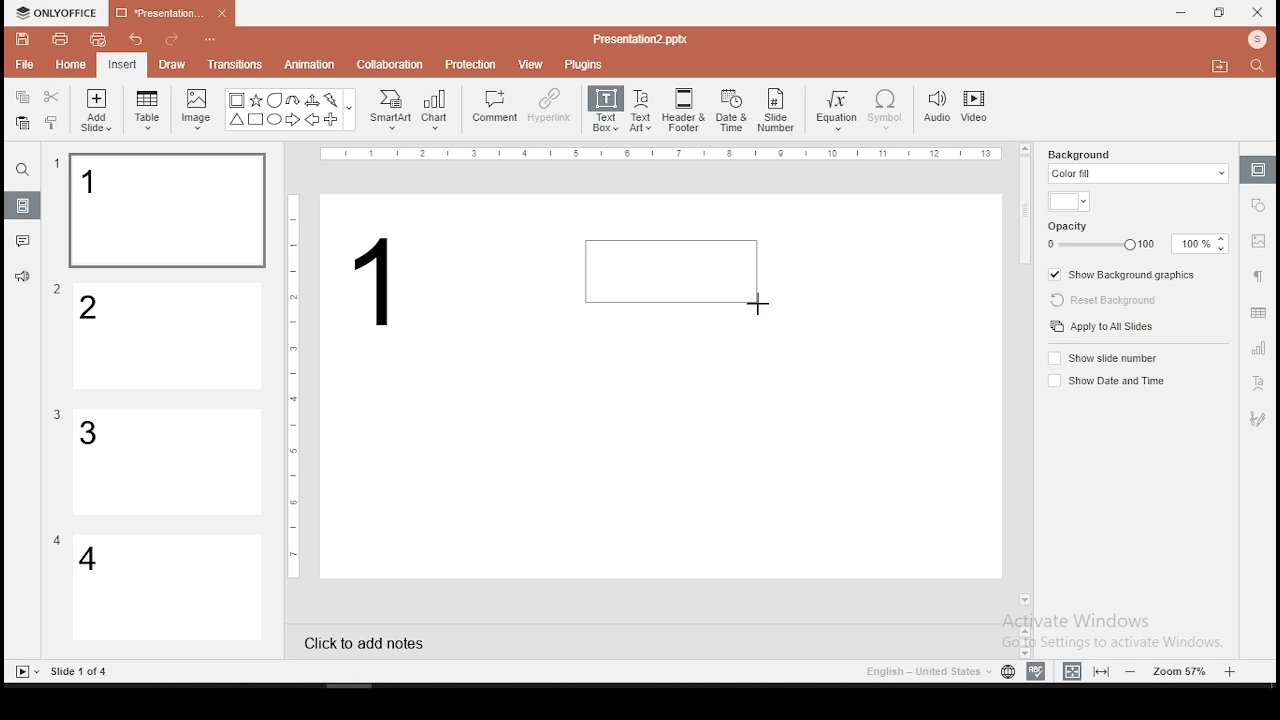 Image resolution: width=1280 pixels, height=720 pixels. Describe the element at coordinates (22, 97) in the screenshot. I see `copy` at that location.